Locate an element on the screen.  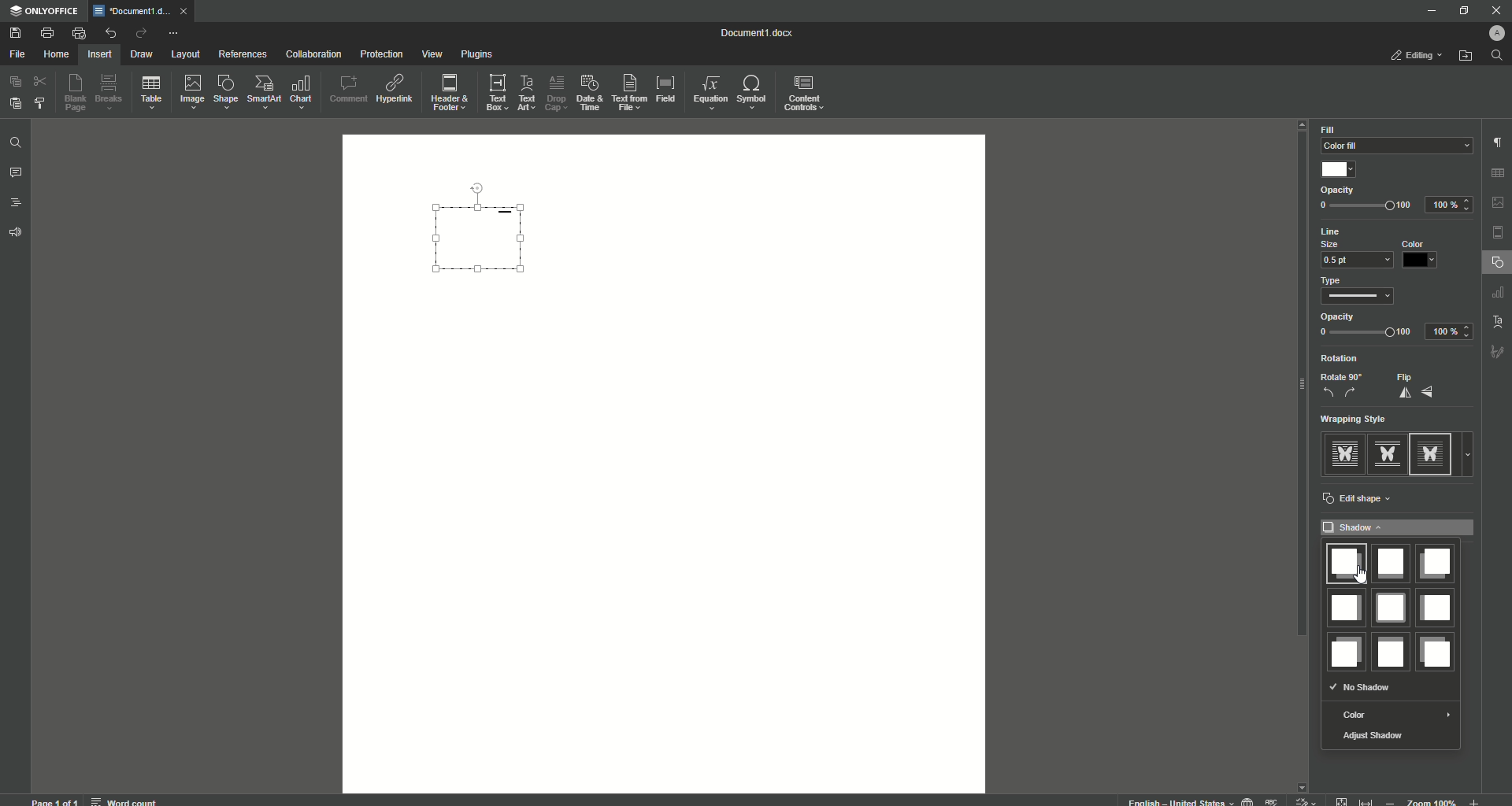
Save is located at coordinates (17, 34).